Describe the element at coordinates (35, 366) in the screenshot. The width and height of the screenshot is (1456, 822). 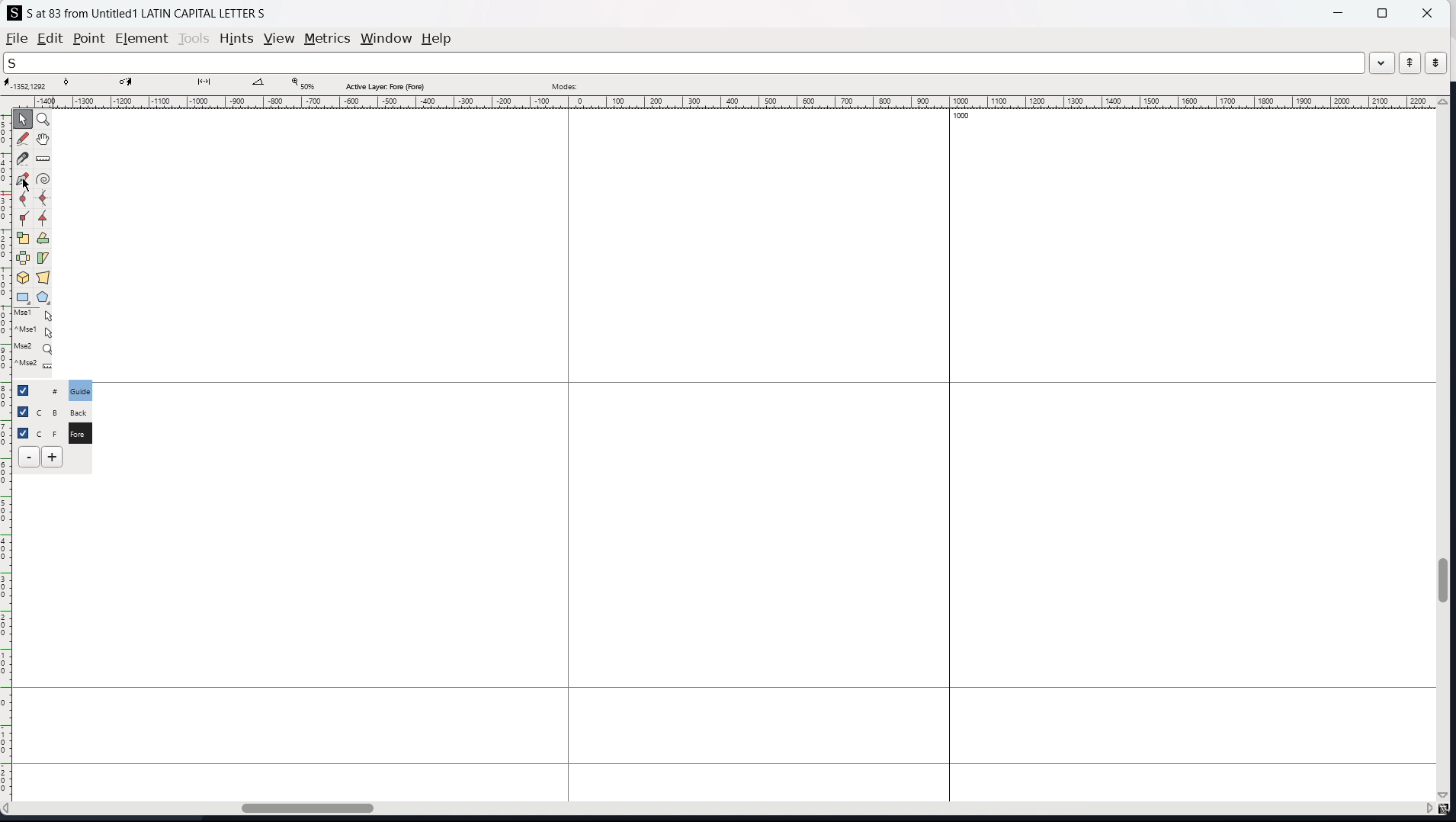
I see `^Mse2` at that location.